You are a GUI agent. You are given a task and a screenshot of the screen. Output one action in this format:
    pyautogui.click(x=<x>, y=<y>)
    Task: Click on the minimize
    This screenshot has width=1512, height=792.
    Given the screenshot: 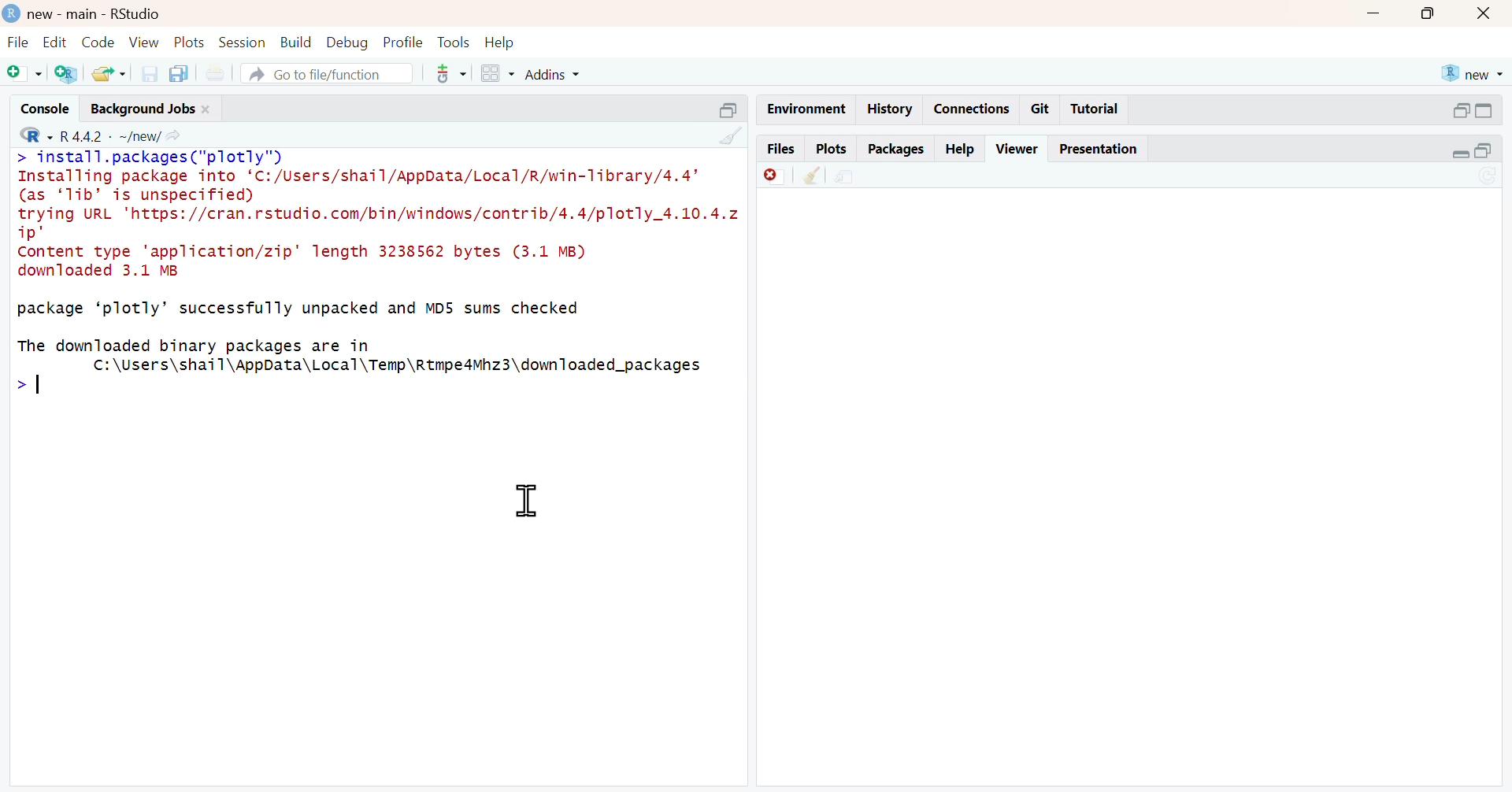 What is the action you would take?
    pyautogui.click(x=1459, y=109)
    